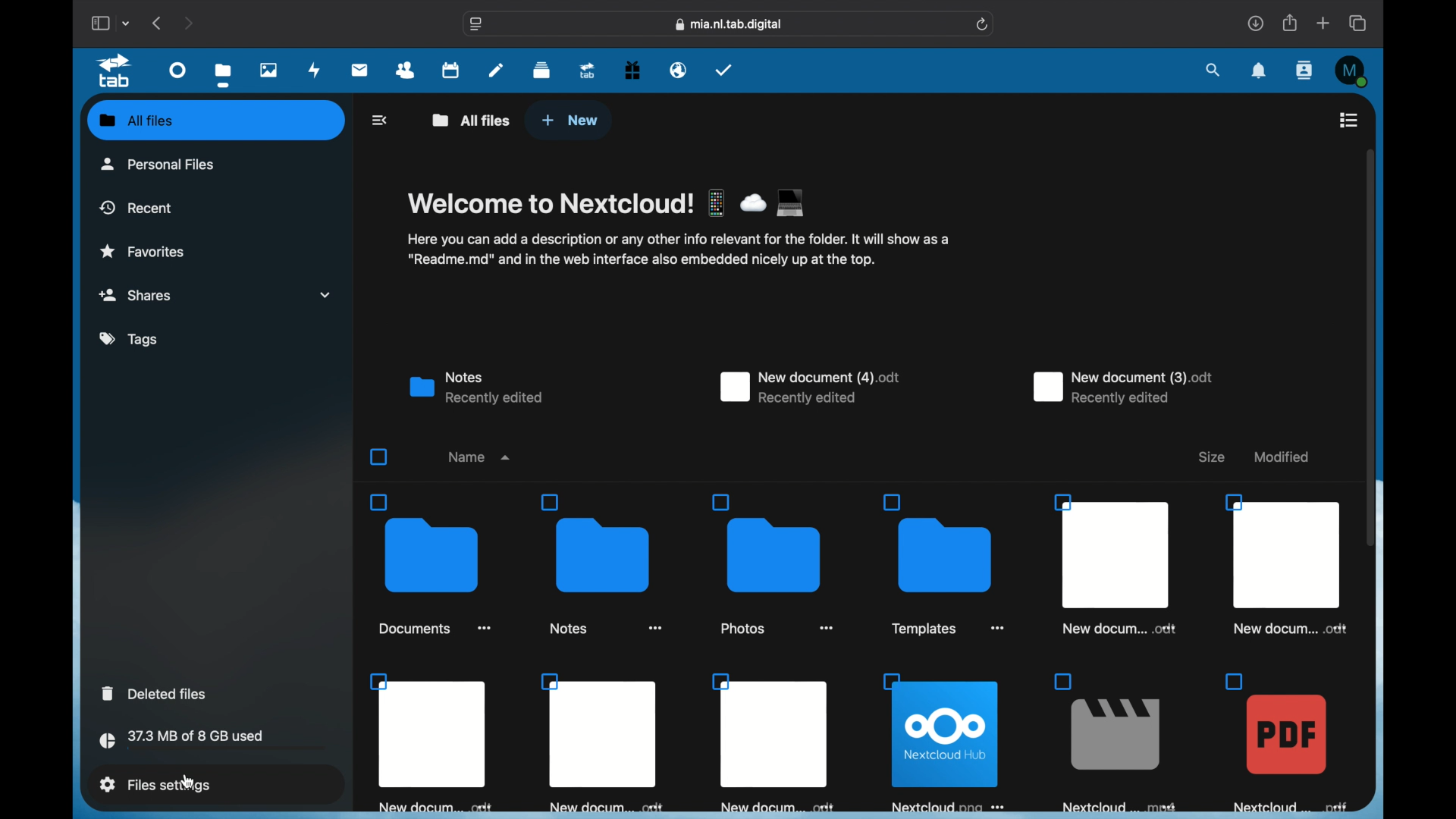 The image size is (1456, 819). Describe the element at coordinates (1359, 23) in the screenshot. I see `show tab overview` at that location.